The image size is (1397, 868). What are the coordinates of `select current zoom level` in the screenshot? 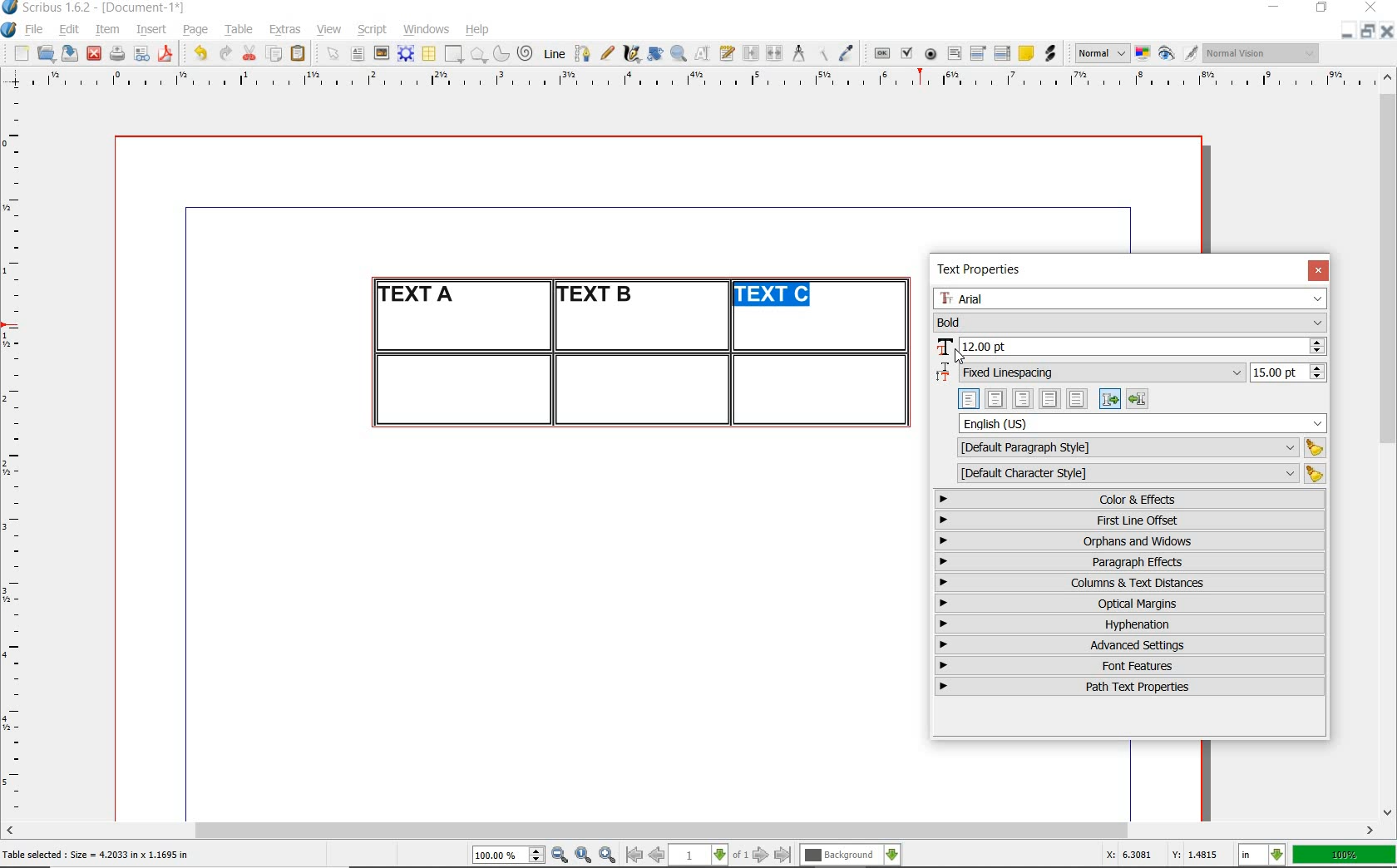 It's located at (509, 855).